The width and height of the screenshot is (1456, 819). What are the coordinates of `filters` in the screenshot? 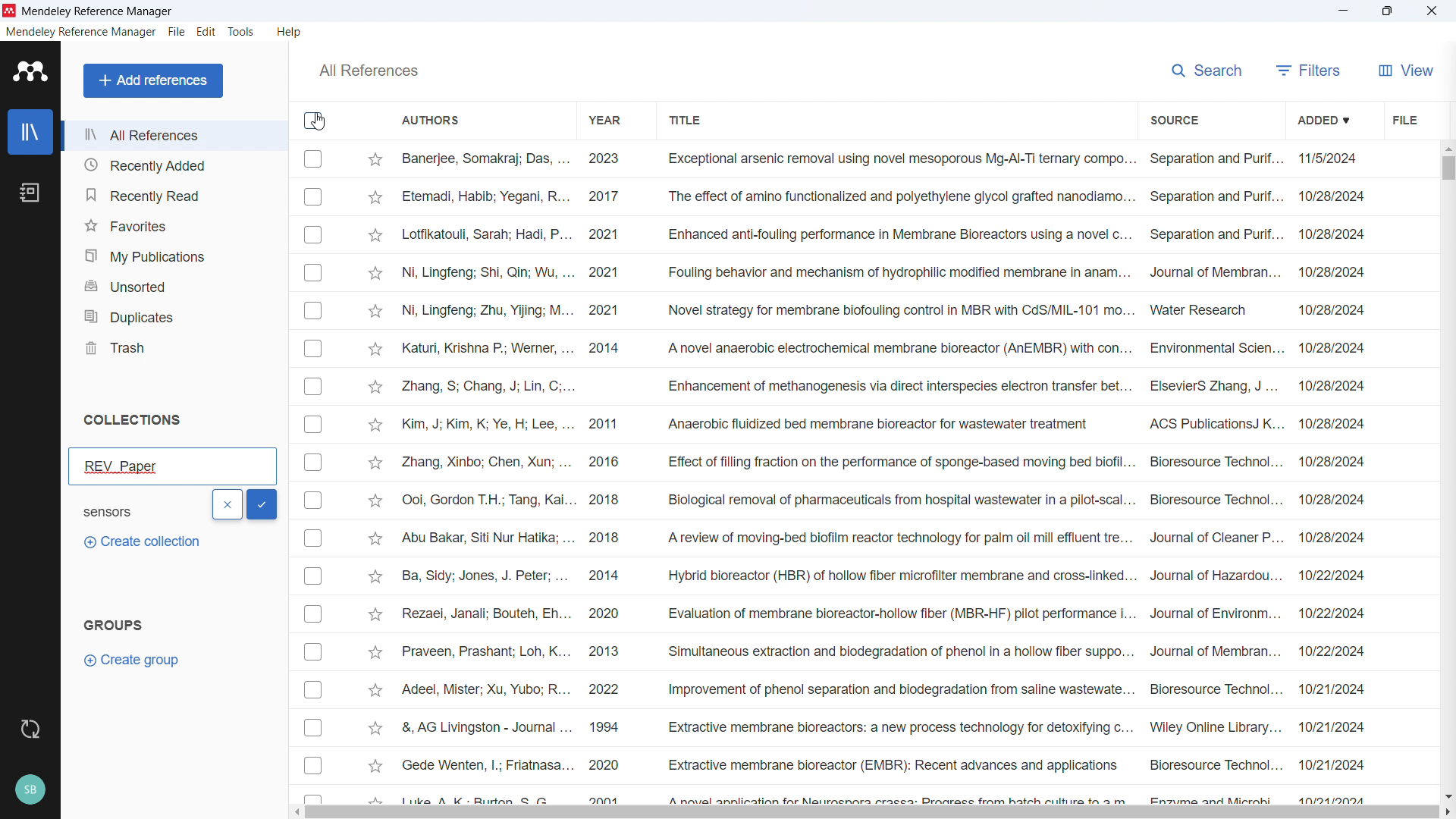 It's located at (1309, 68).